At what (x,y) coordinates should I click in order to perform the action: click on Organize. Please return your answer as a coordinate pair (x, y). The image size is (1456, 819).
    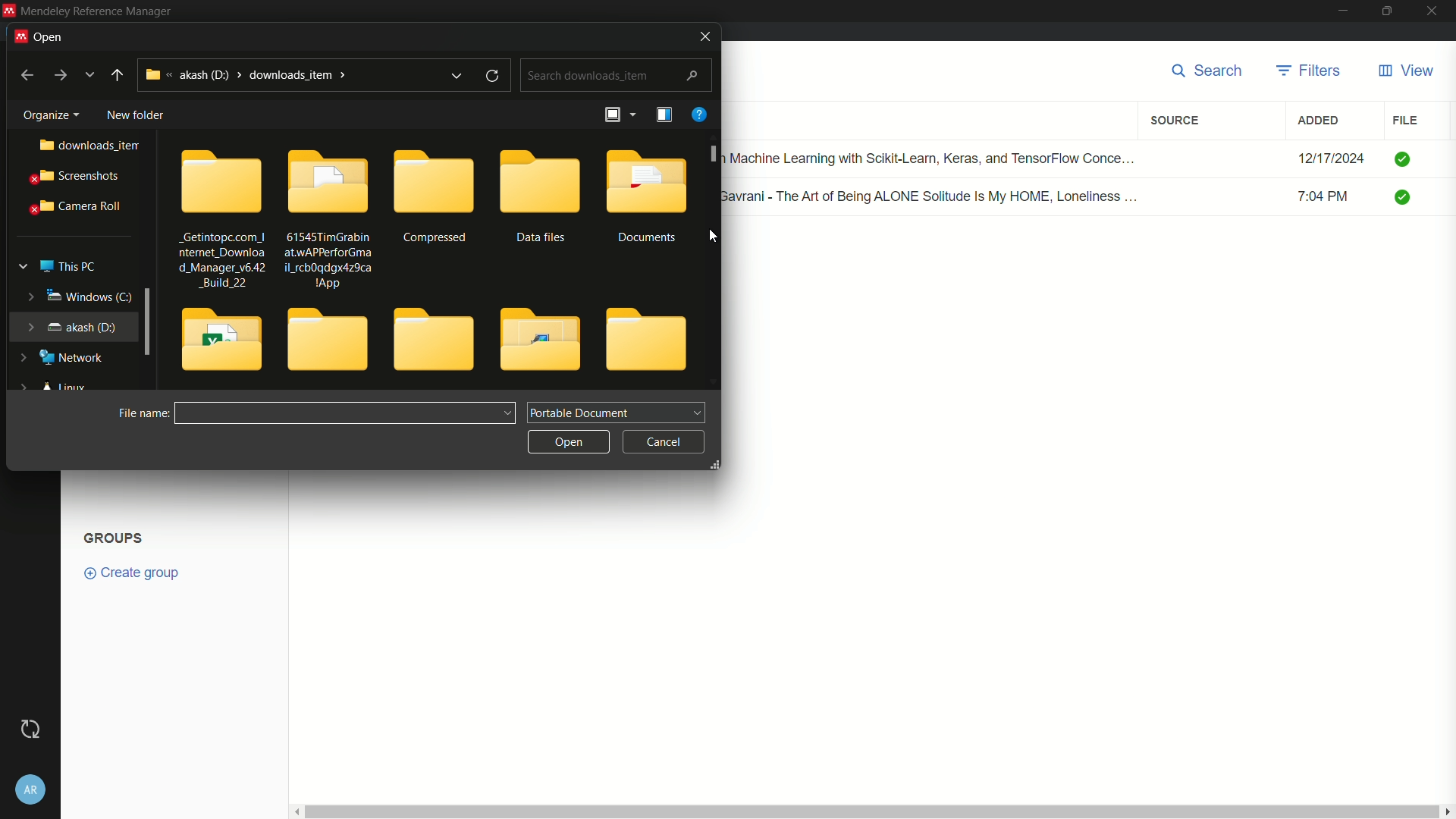
    Looking at the image, I should click on (45, 112).